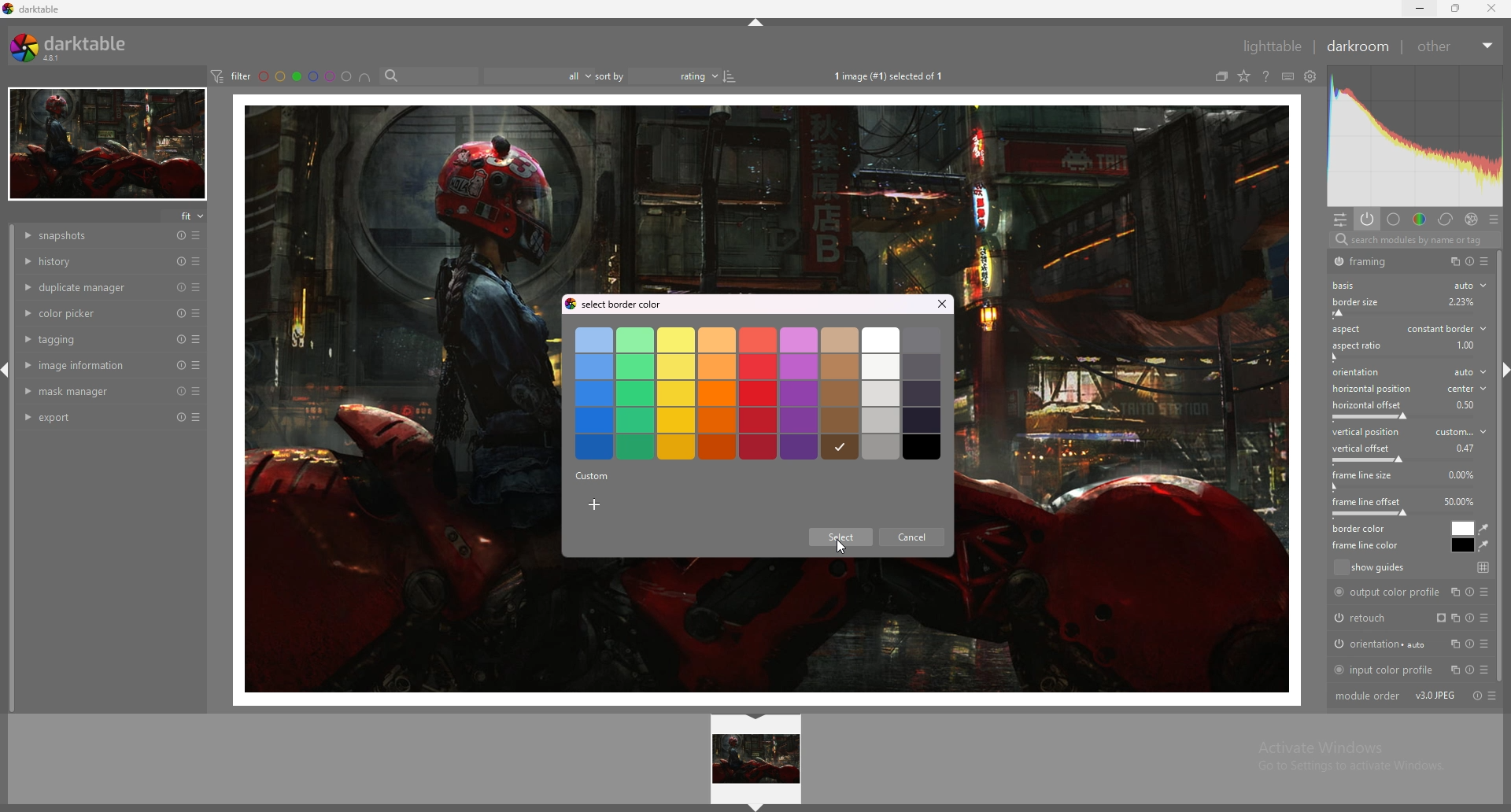 Image resolution: width=1511 pixels, height=812 pixels. Describe the element at coordinates (595, 506) in the screenshot. I see `add custom color` at that location.